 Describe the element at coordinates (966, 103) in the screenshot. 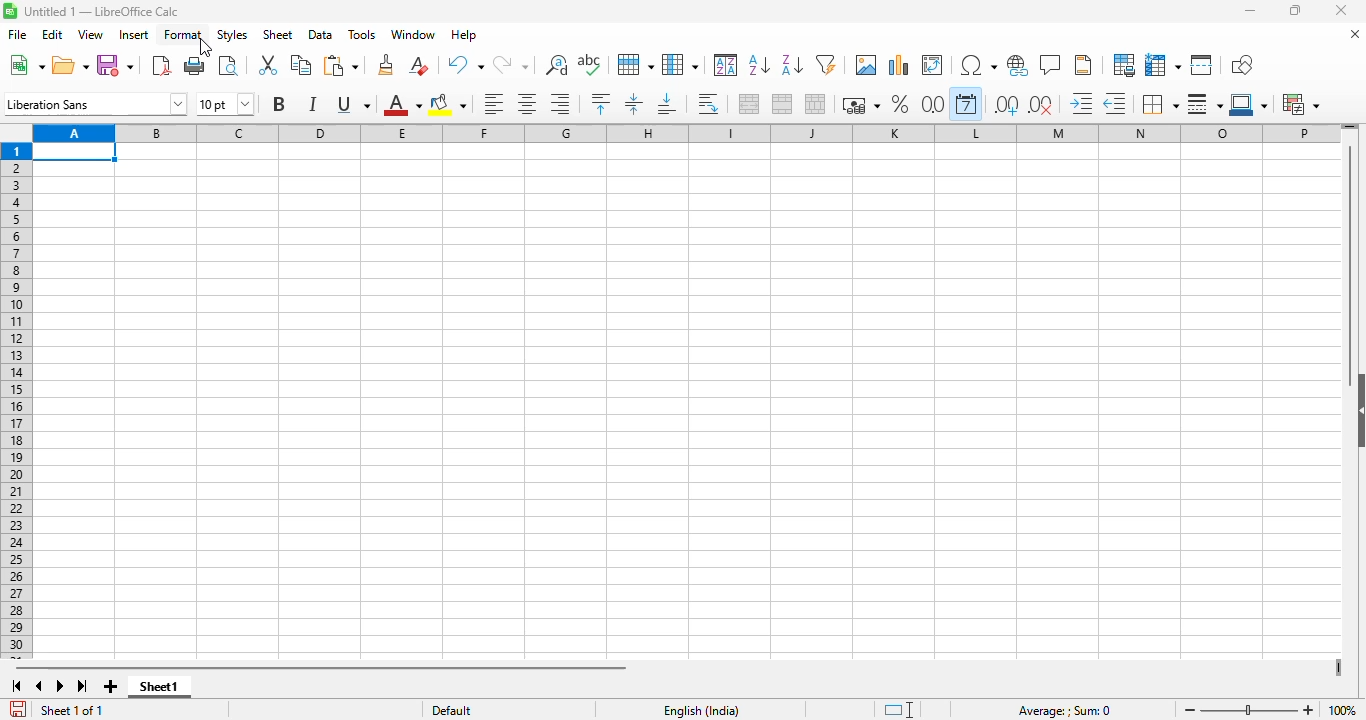

I see `format as date` at that location.